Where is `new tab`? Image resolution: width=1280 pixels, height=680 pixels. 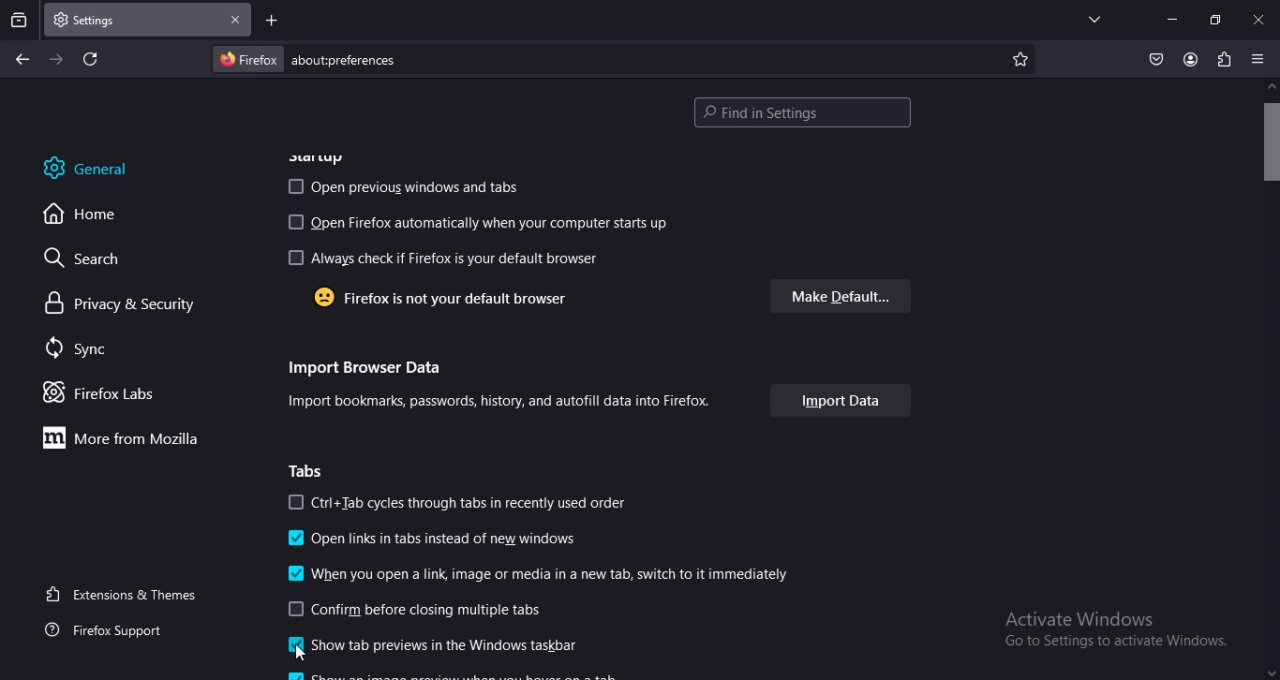 new tab is located at coordinates (271, 21).